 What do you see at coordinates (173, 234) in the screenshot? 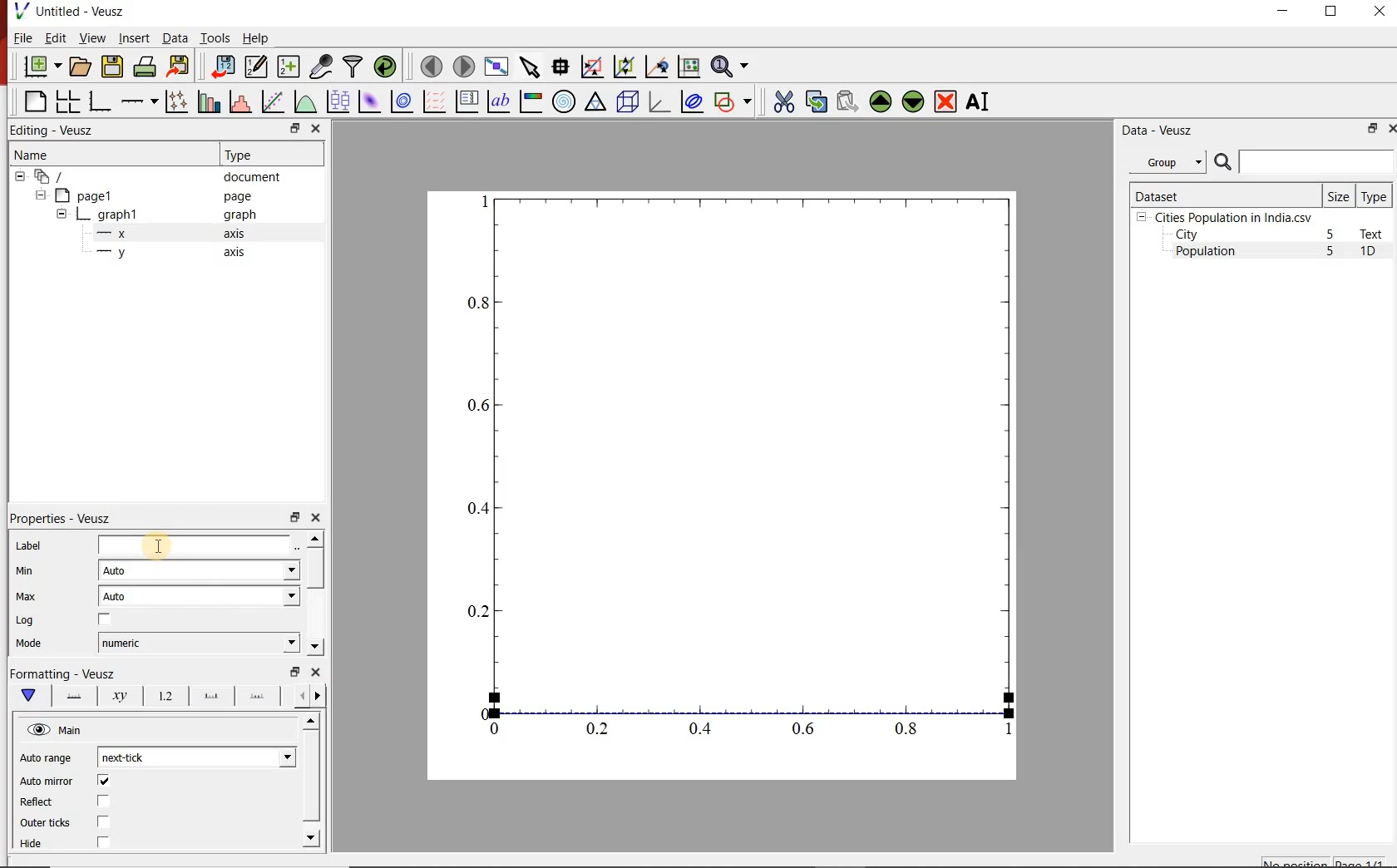
I see `x axis` at bounding box center [173, 234].